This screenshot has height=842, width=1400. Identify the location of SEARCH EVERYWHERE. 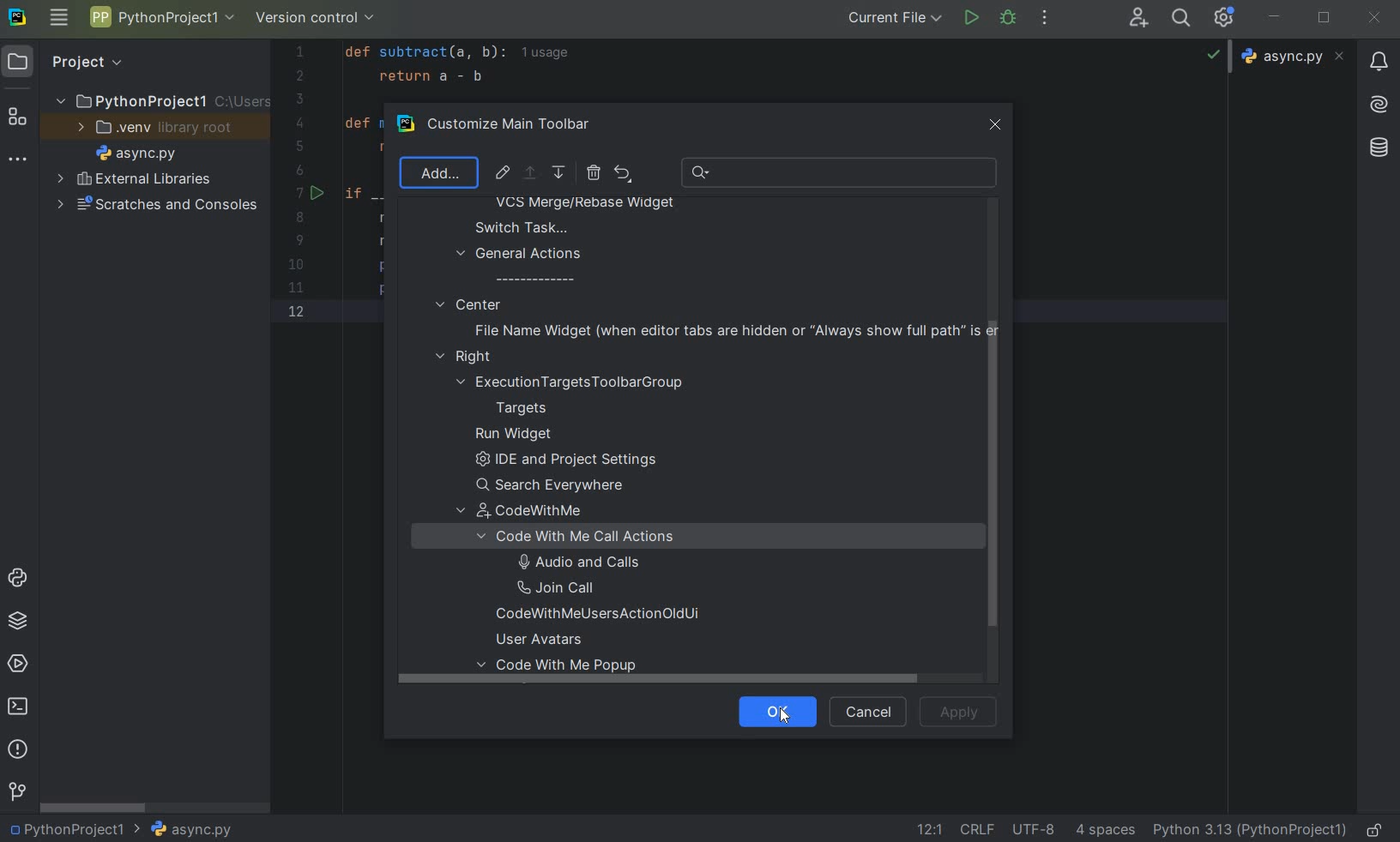
(1185, 18).